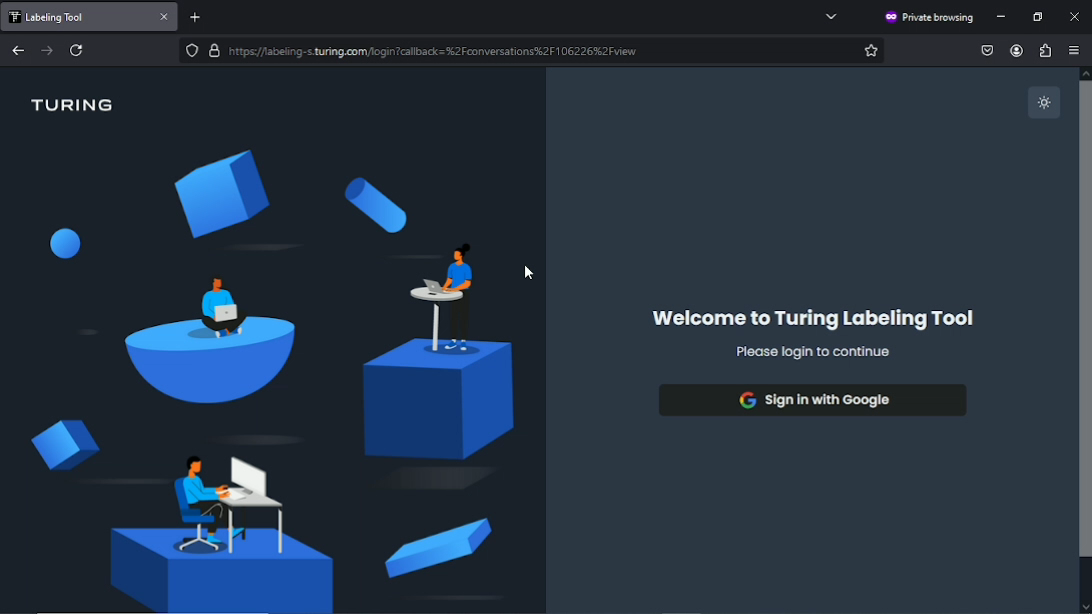 This screenshot has height=614, width=1092. What do you see at coordinates (432, 50) in the screenshot?
I see `https://labeling-s.turing.com/login?callback=%2Fconversations%2F106226%2Dview` at bounding box center [432, 50].